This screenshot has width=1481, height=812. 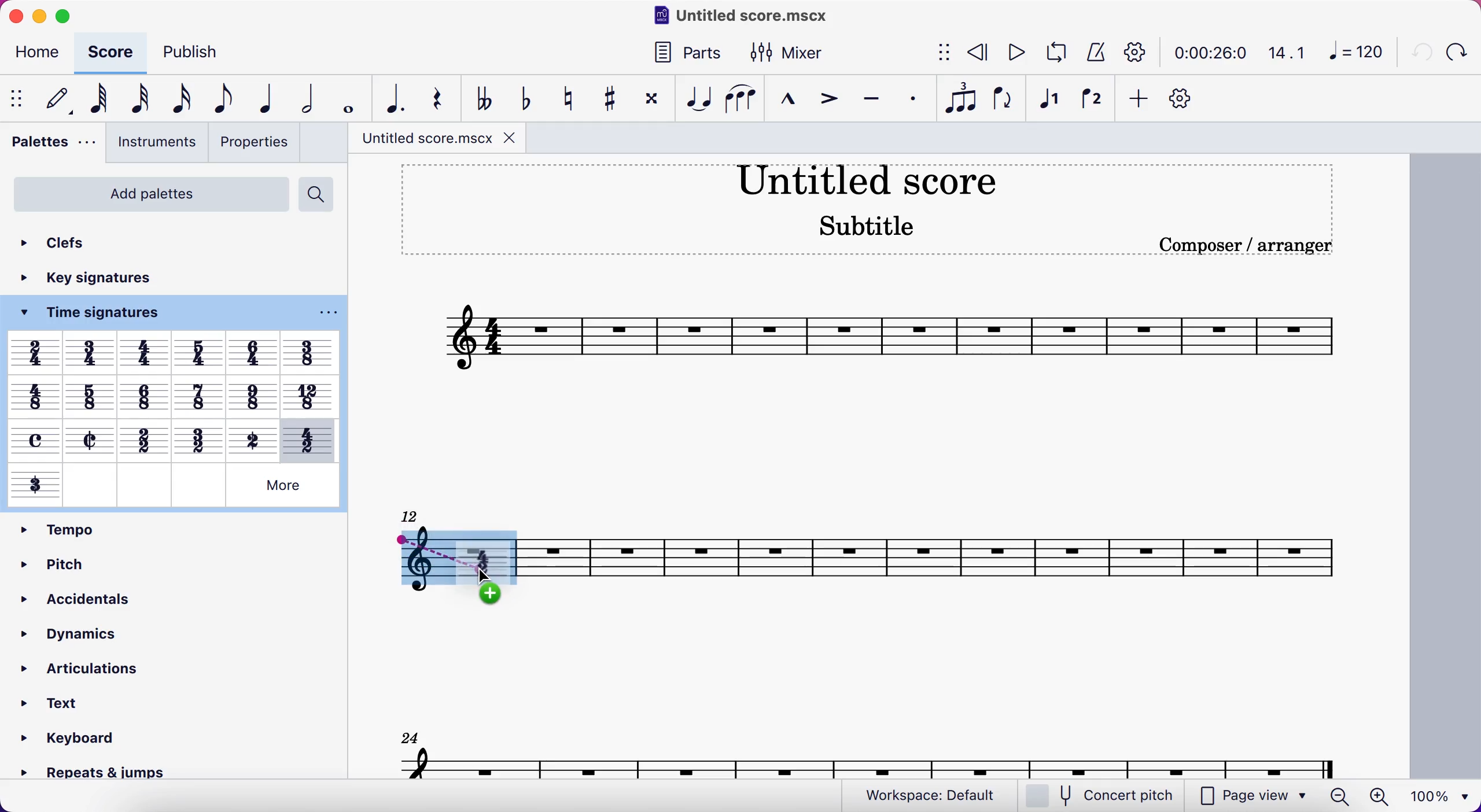 I want to click on Composer / arranger, so click(x=1243, y=245).